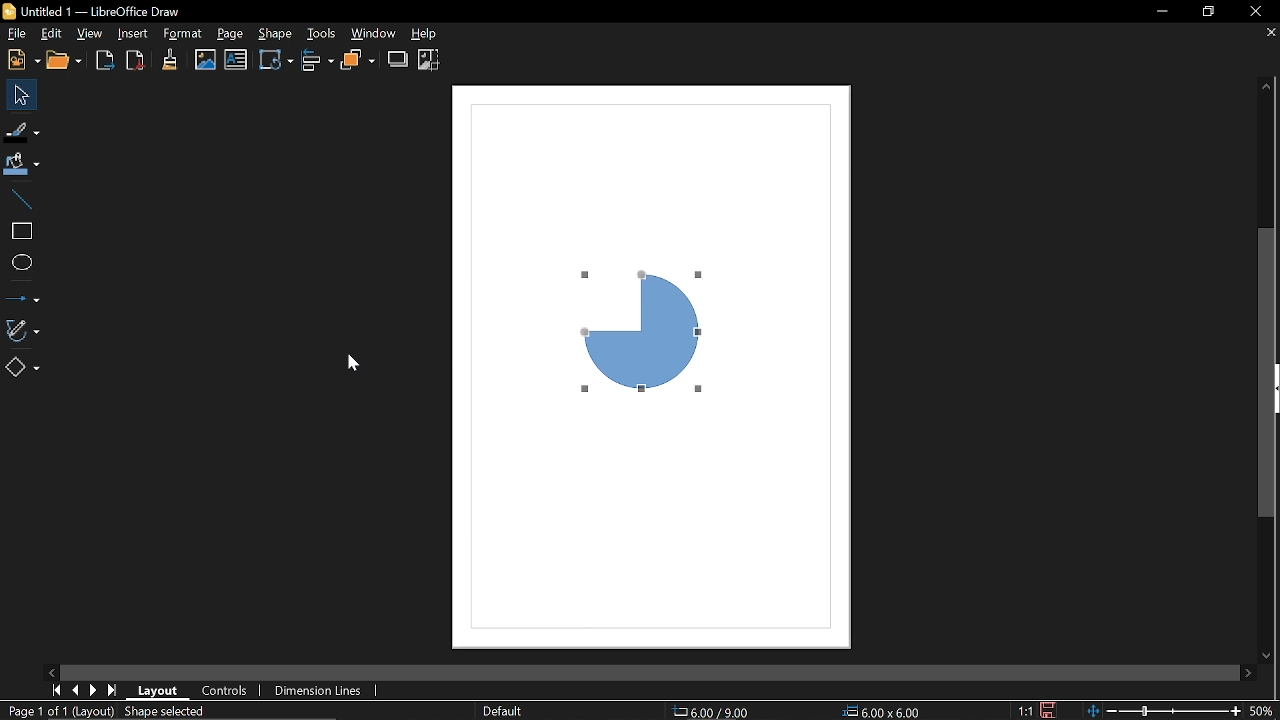 The width and height of the screenshot is (1280, 720). I want to click on Insert text, so click(235, 60).